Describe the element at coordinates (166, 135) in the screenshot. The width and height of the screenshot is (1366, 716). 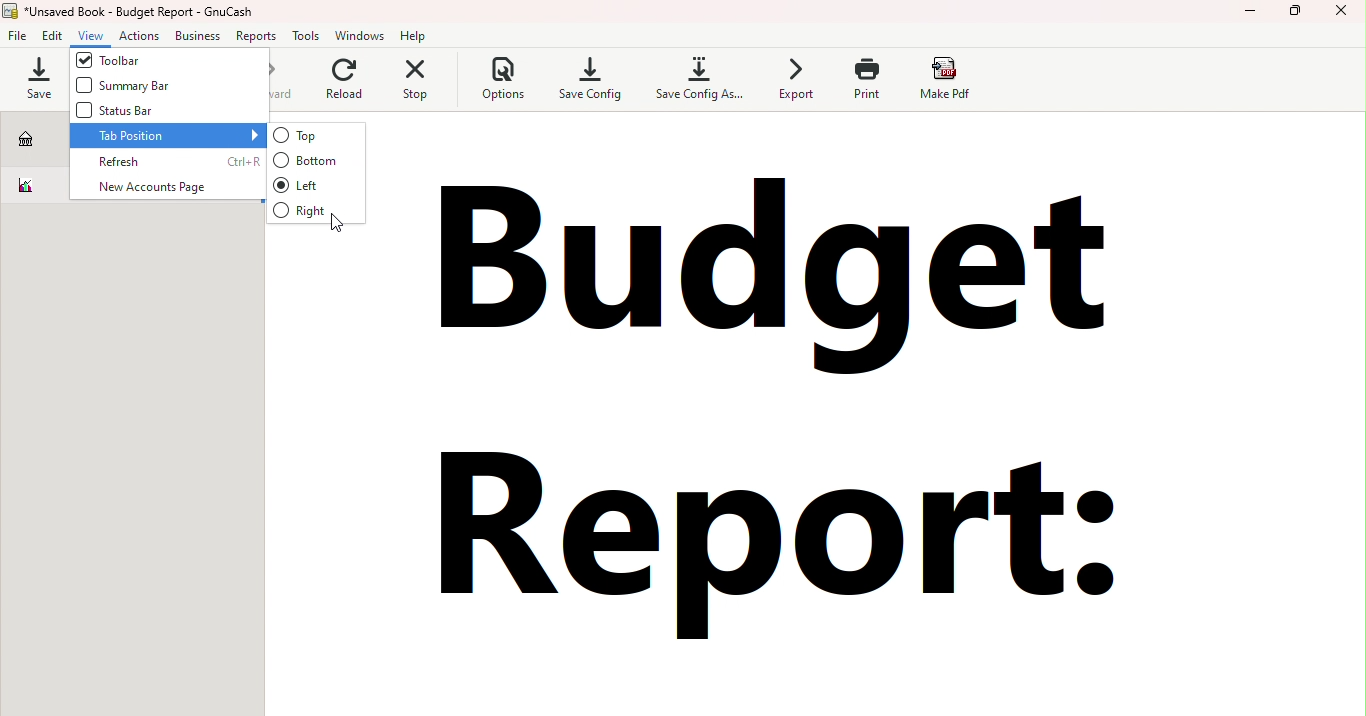
I see `Tab position` at that location.